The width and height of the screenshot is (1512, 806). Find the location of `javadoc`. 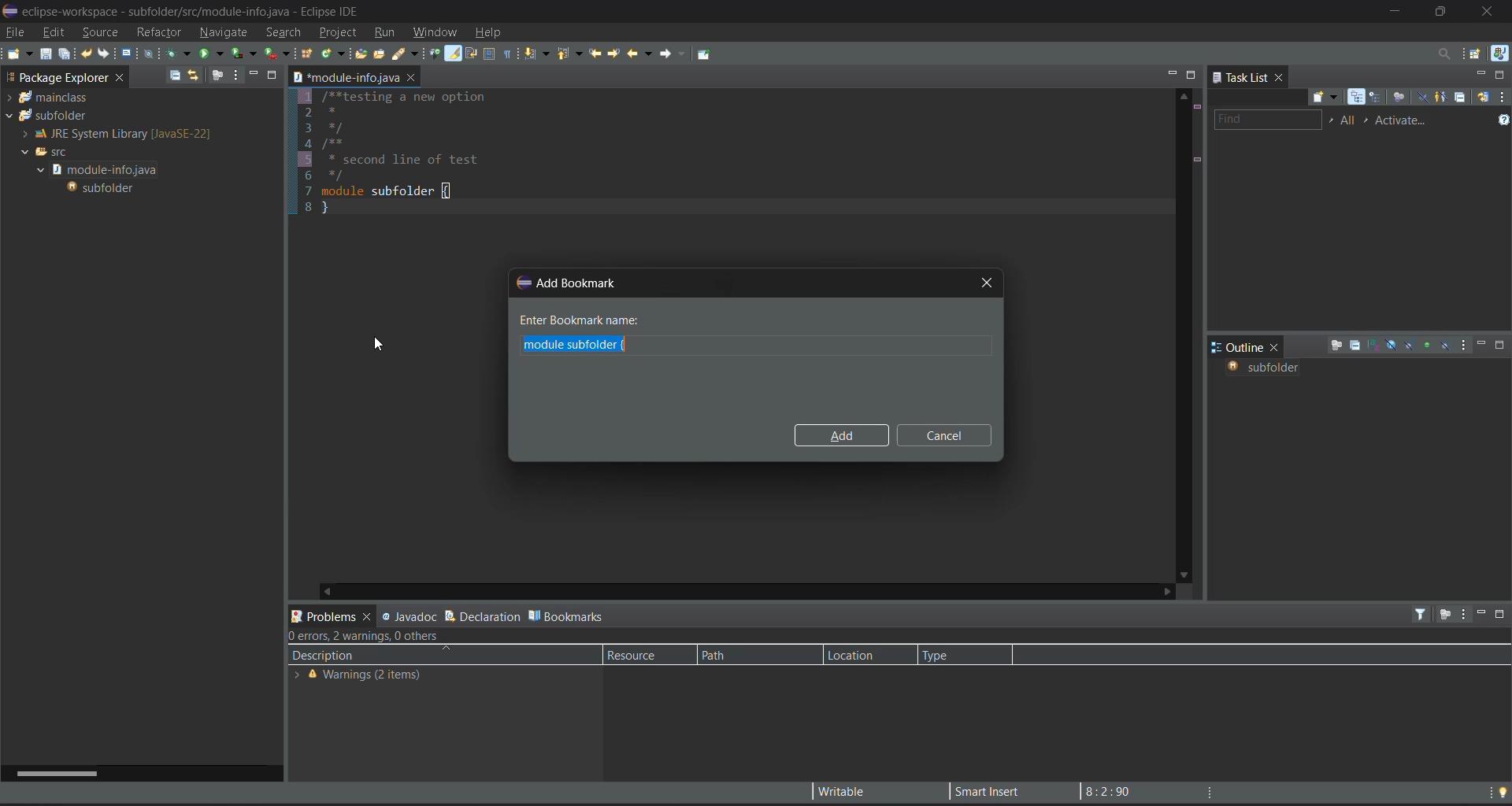

javadoc is located at coordinates (409, 614).